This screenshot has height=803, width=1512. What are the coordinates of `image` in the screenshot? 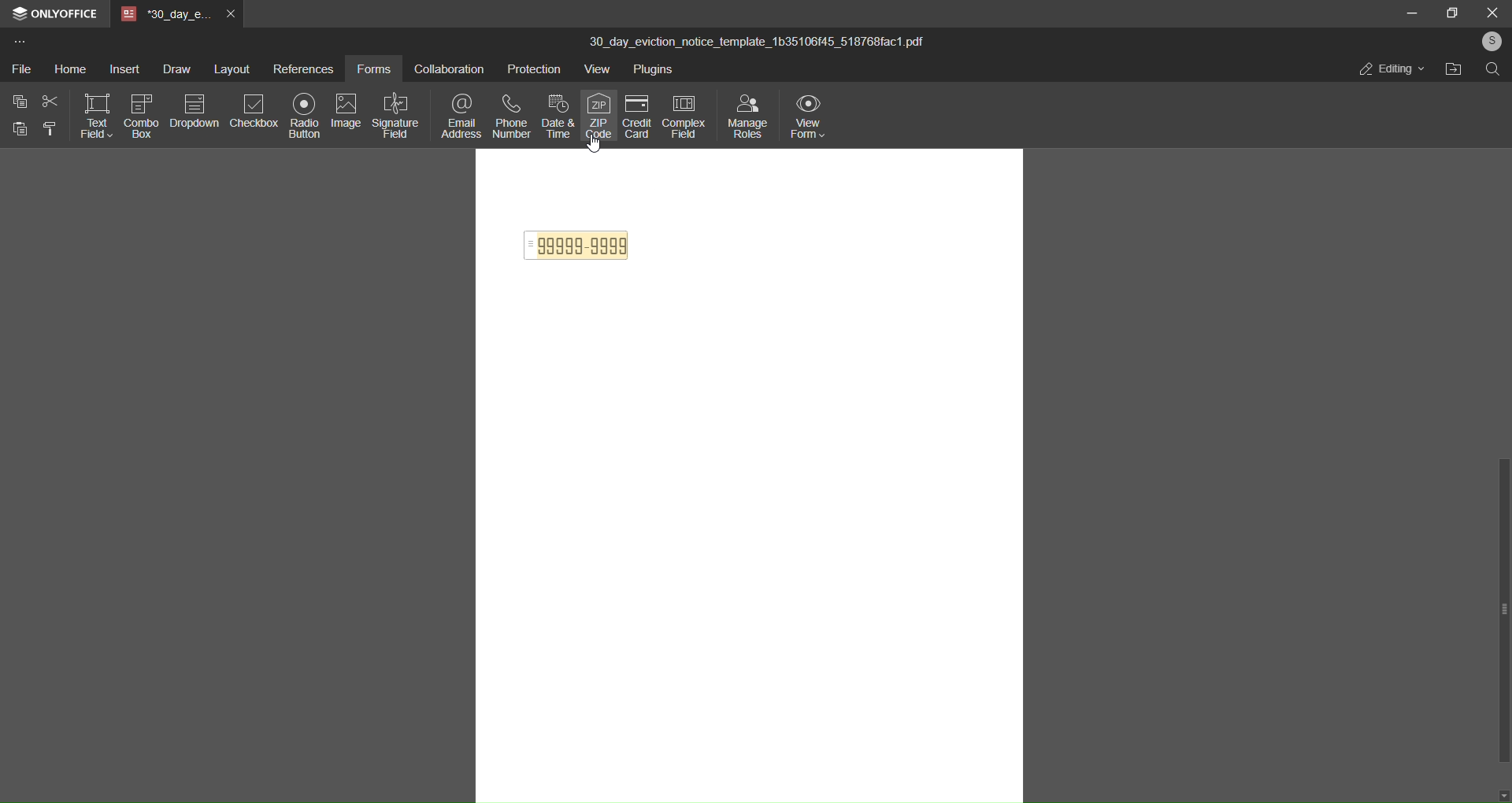 It's located at (343, 110).